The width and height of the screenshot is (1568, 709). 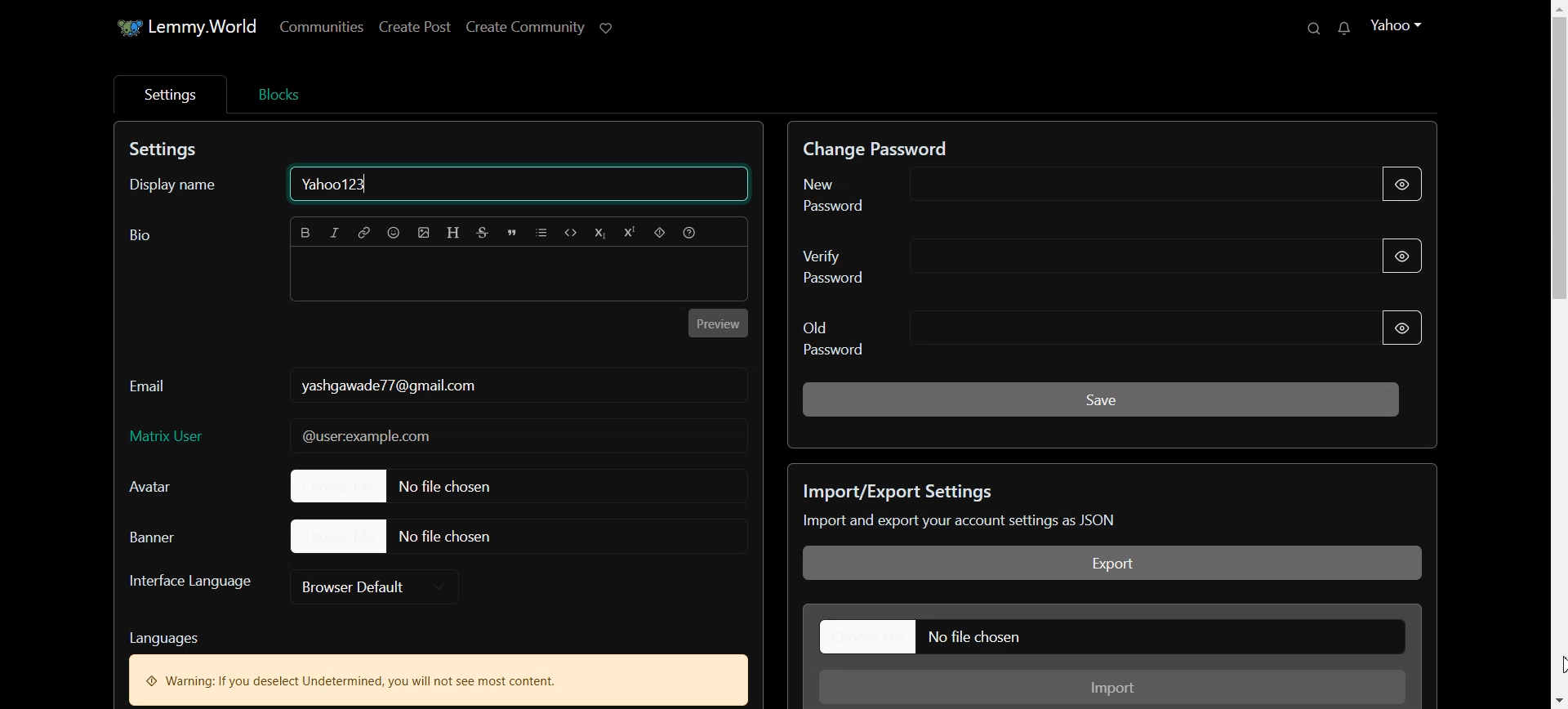 What do you see at coordinates (1113, 564) in the screenshot?
I see `Export` at bounding box center [1113, 564].